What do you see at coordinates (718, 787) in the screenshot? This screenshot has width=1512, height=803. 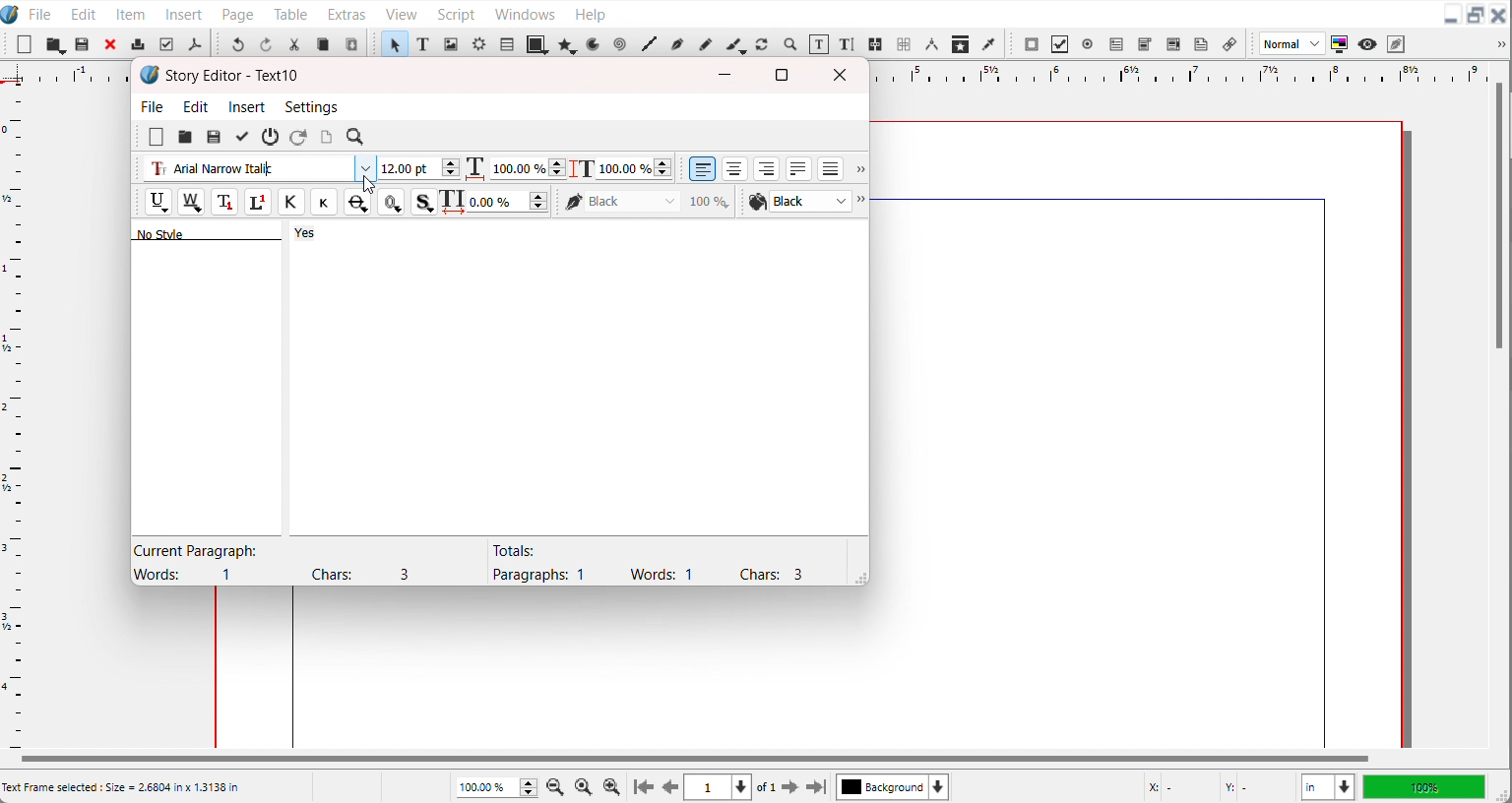 I see `Select current page` at bounding box center [718, 787].